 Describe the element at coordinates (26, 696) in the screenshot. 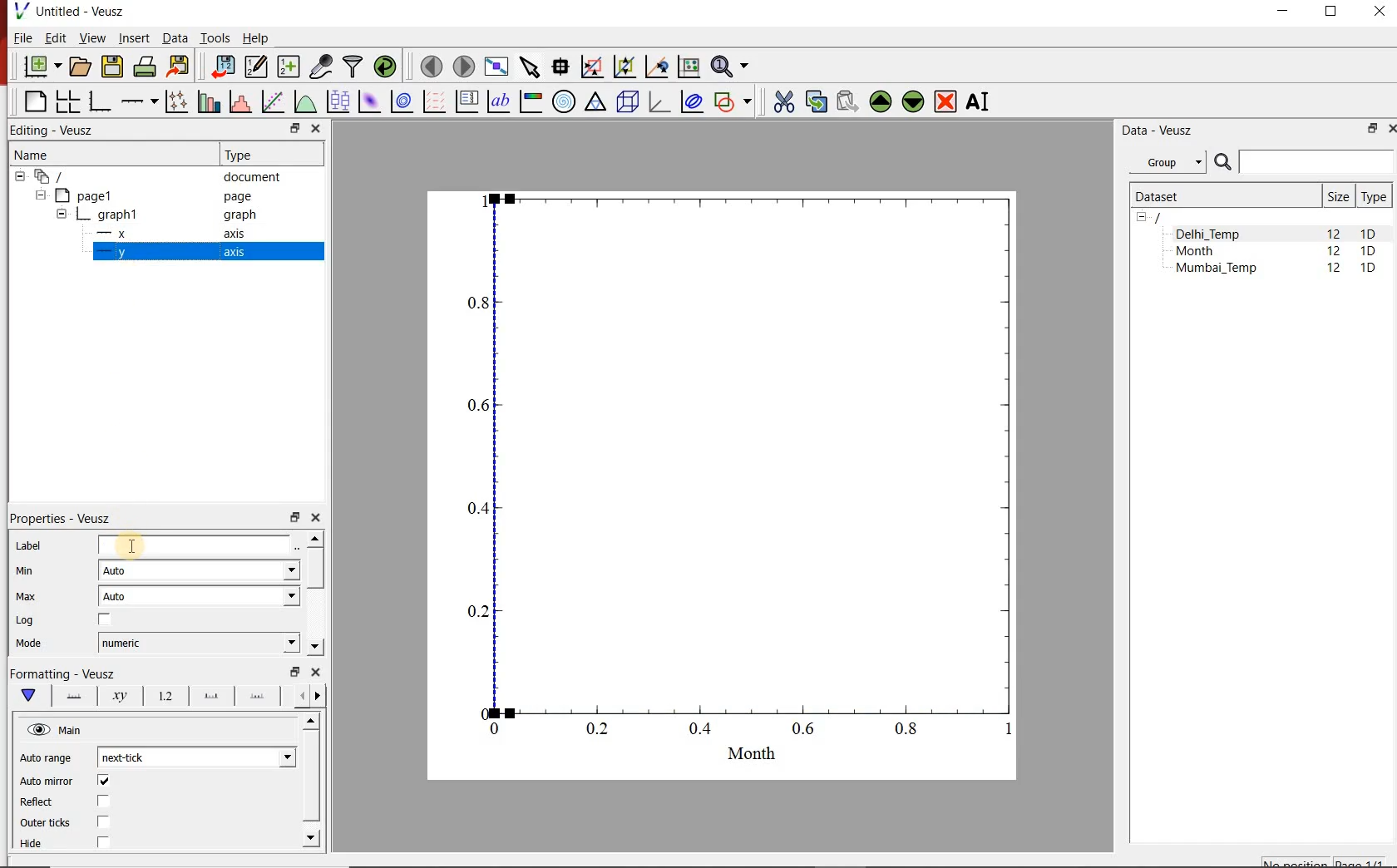

I see `Main formatting` at that location.